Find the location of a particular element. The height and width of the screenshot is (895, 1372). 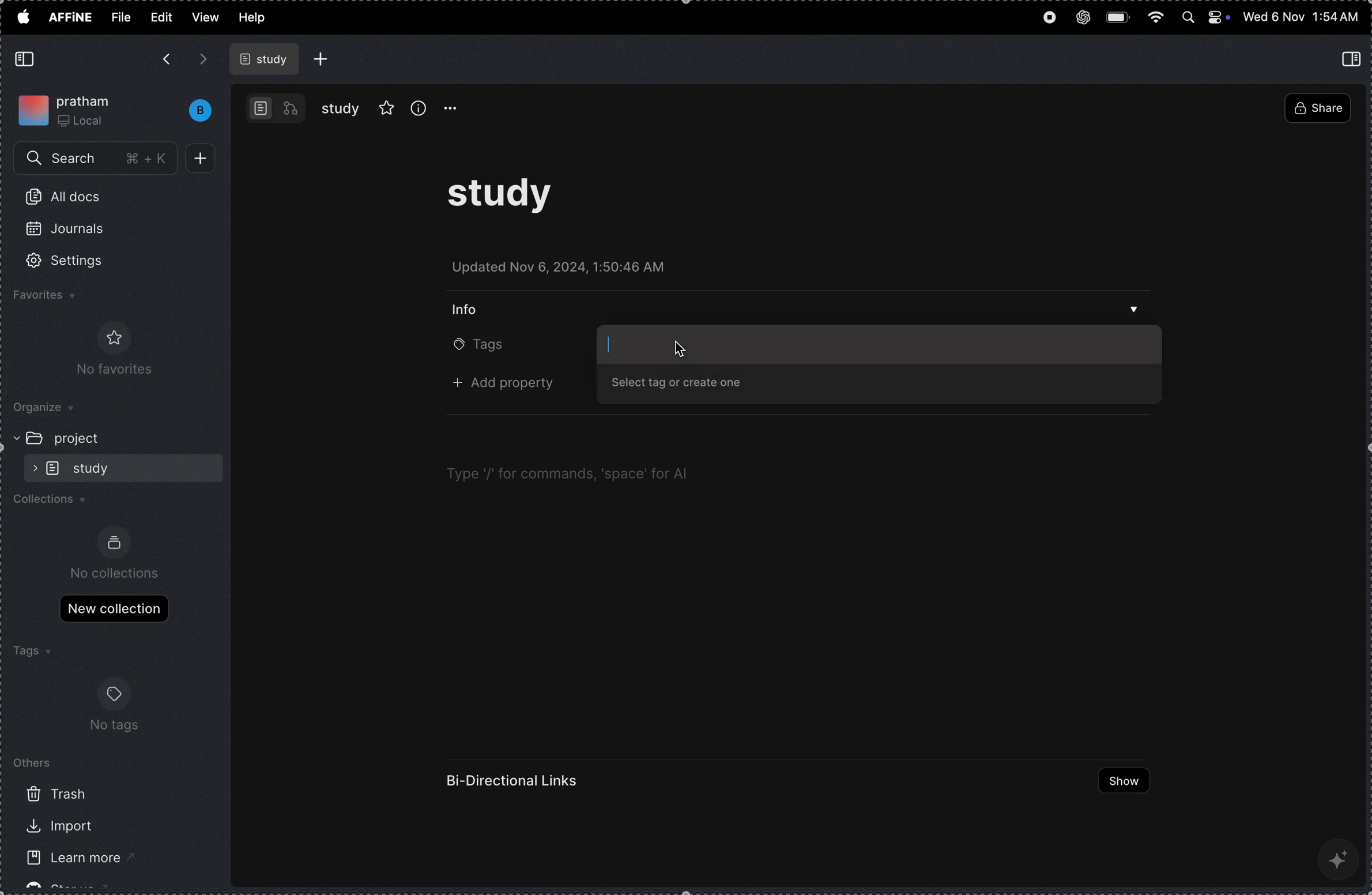

apple widgets is located at coordinates (1205, 18).